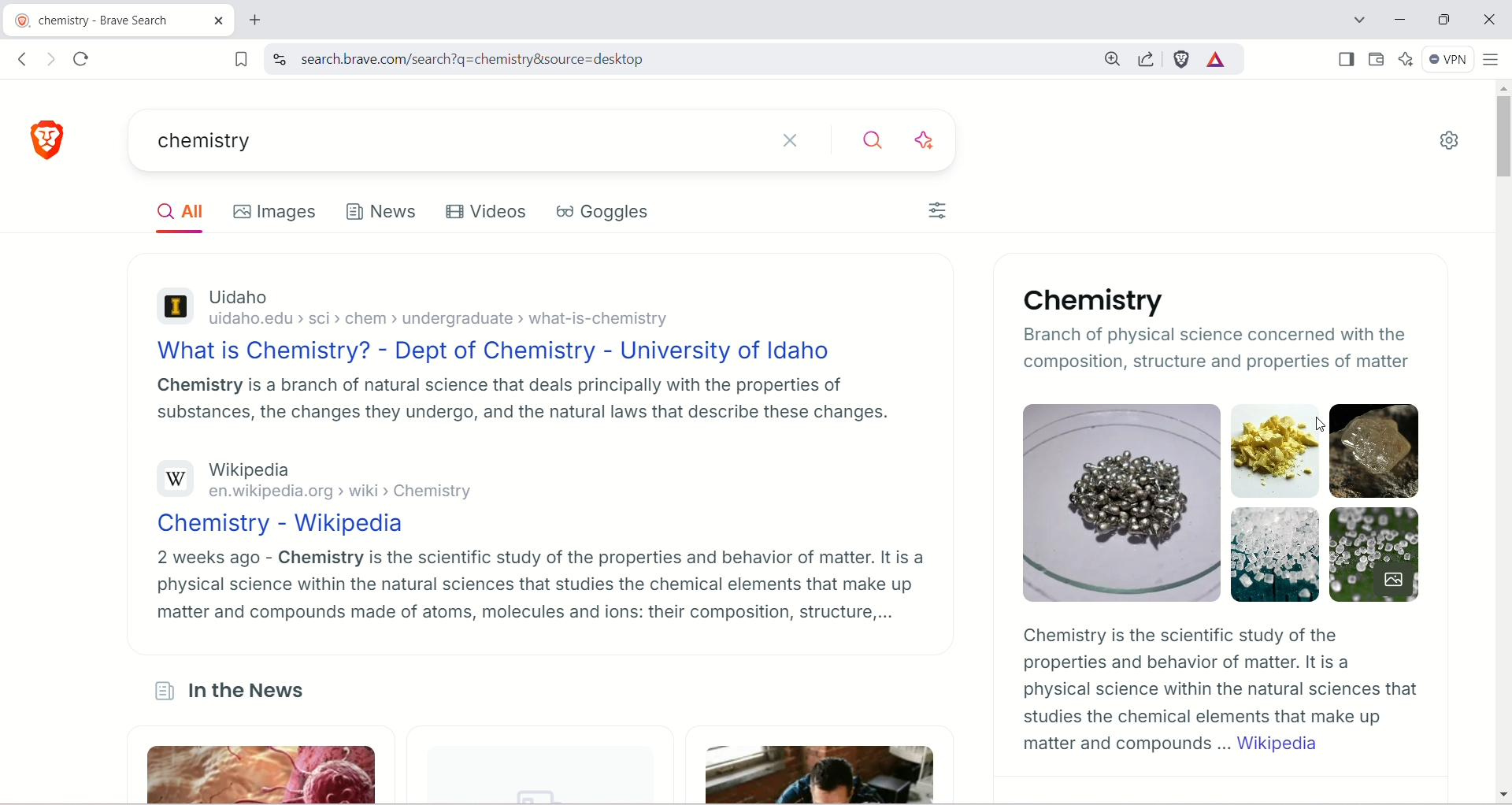 This screenshot has width=1512, height=805. Describe the element at coordinates (1094, 299) in the screenshot. I see `Chemistry` at that location.